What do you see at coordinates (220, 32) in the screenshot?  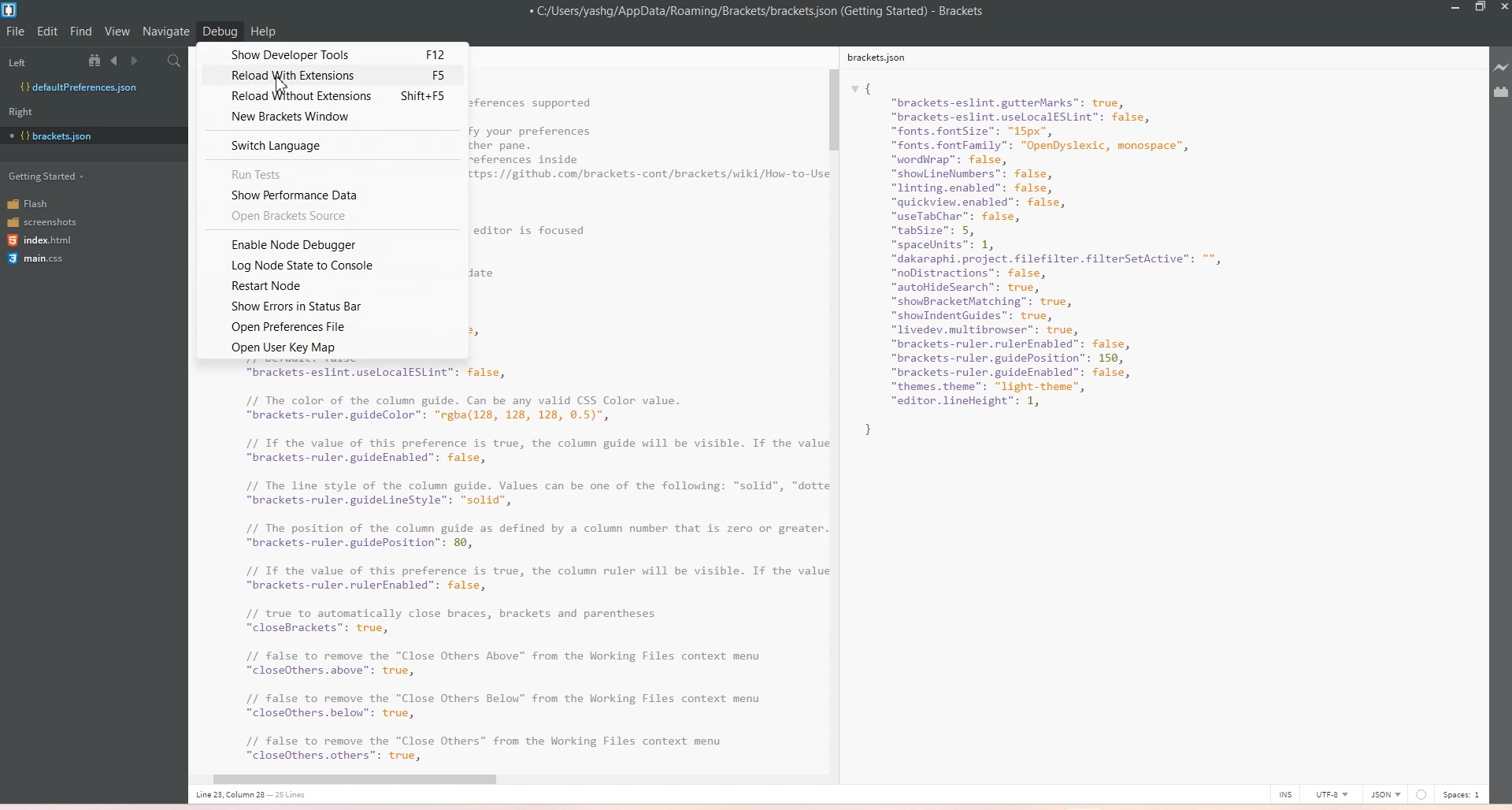 I see `Debug` at bounding box center [220, 32].